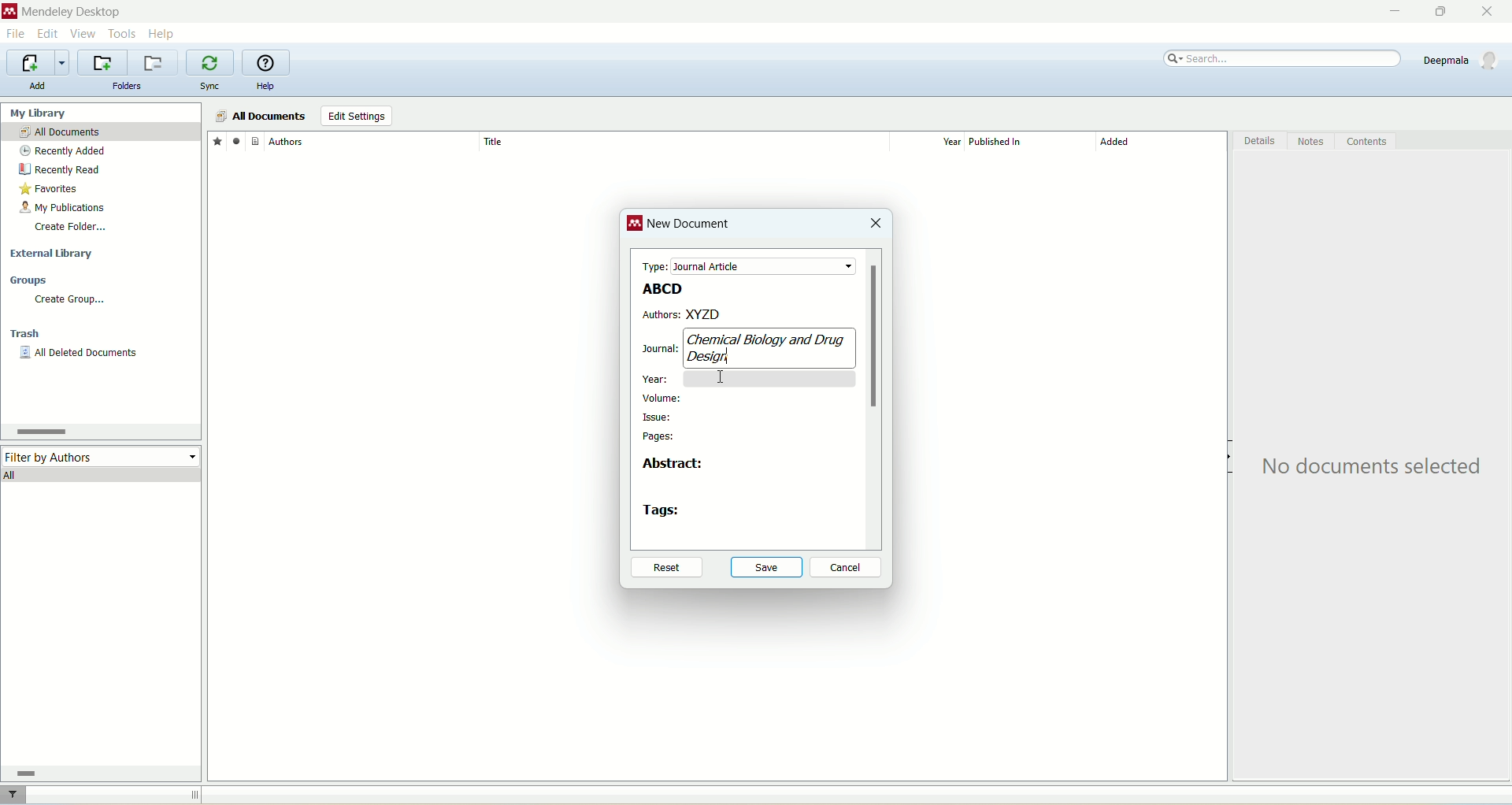 This screenshot has width=1512, height=805. What do you see at coordinates (28, 336) in the screenshot?
I see `trash` at bounding box center [28, 336].